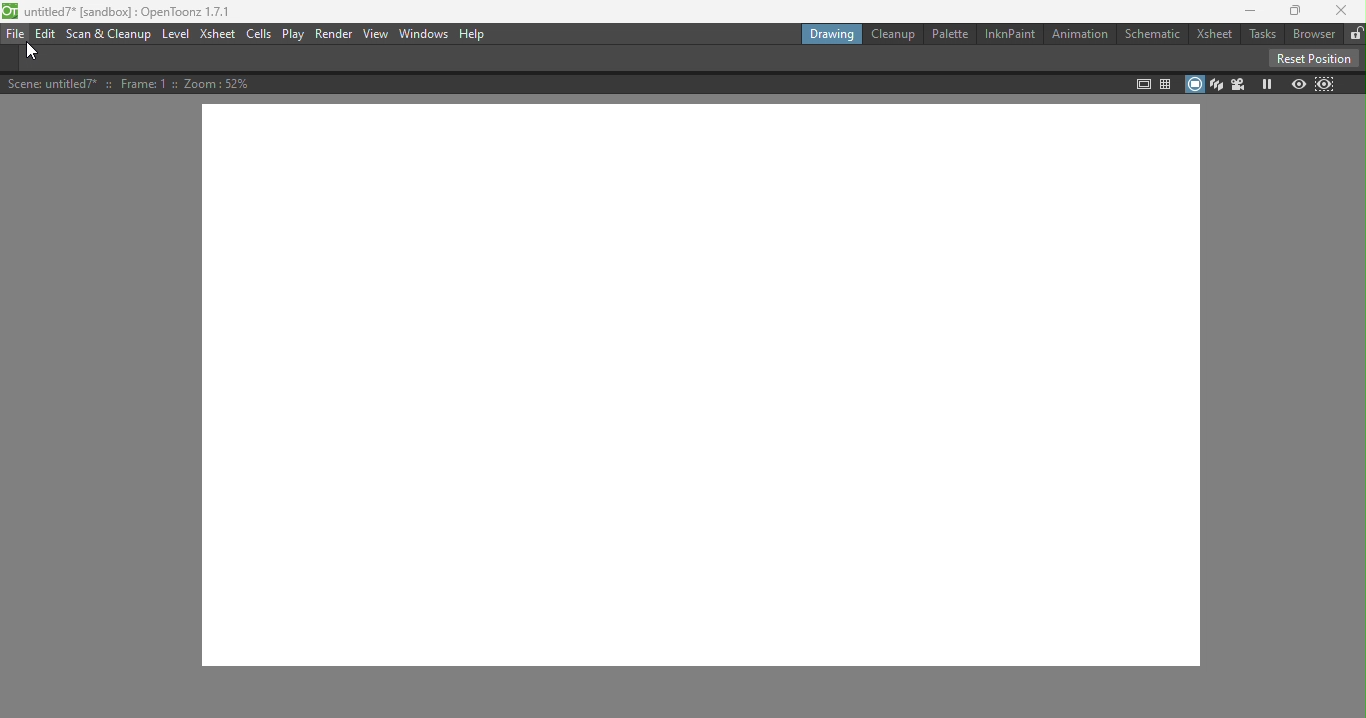  Describe the element at coordinates (32, 54) in the screenshot. I see `Cursor` at that location.